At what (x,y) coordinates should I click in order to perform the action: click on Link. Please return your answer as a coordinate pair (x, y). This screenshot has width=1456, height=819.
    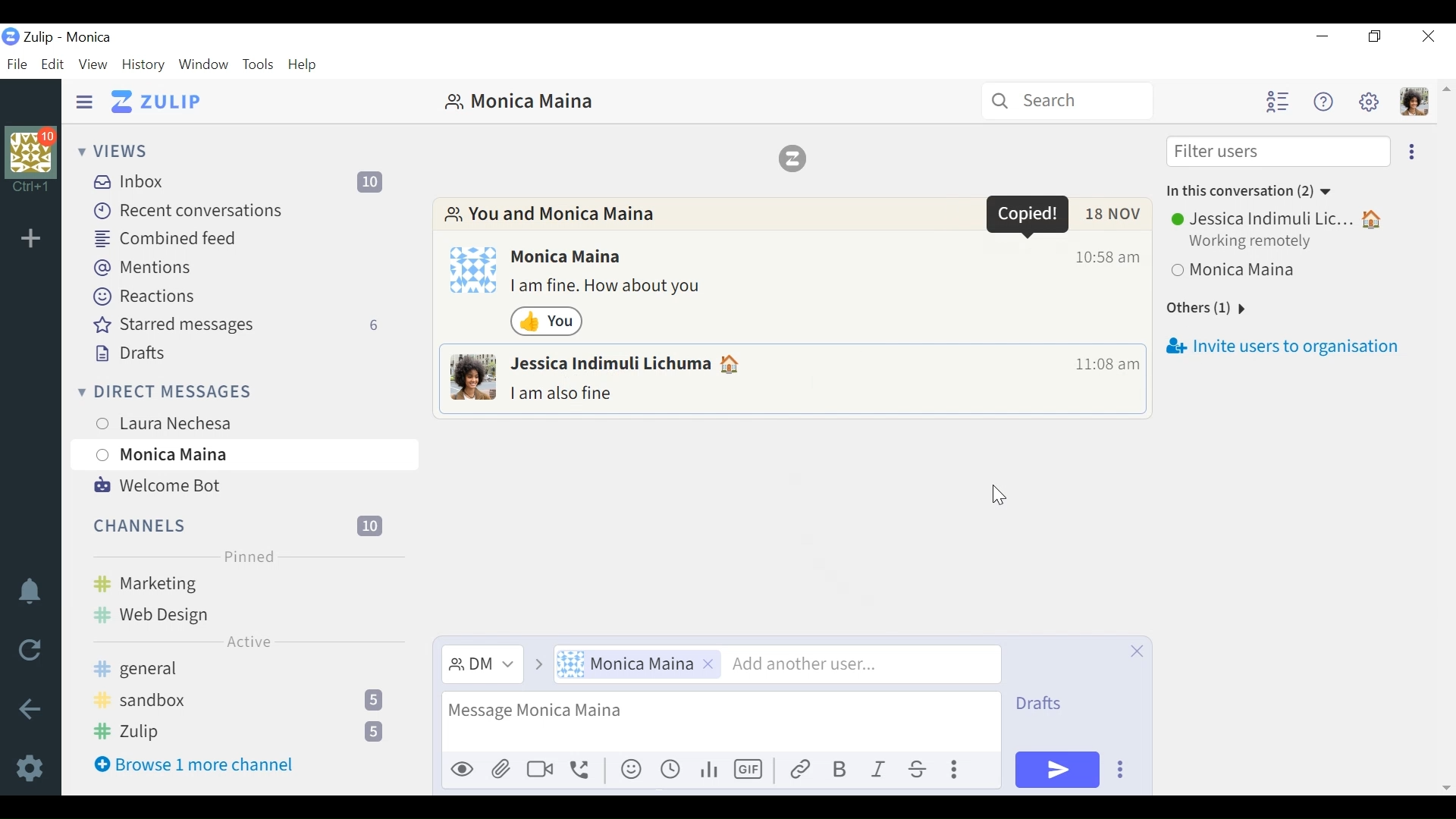
    Looking at the image, I should click on (800, 770).